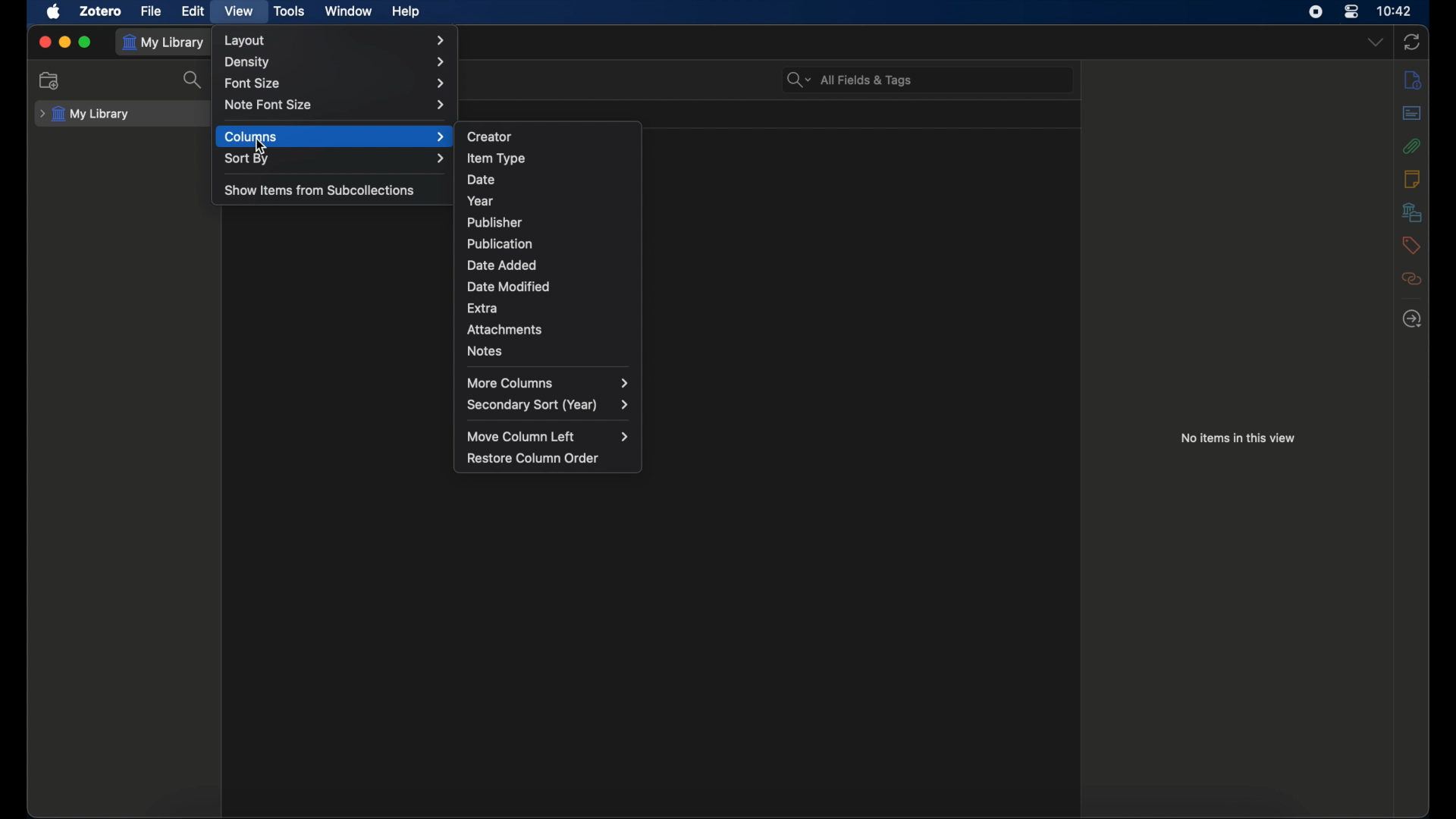 The image size is (1456, 819). I want to click on date, so click(481, 180).